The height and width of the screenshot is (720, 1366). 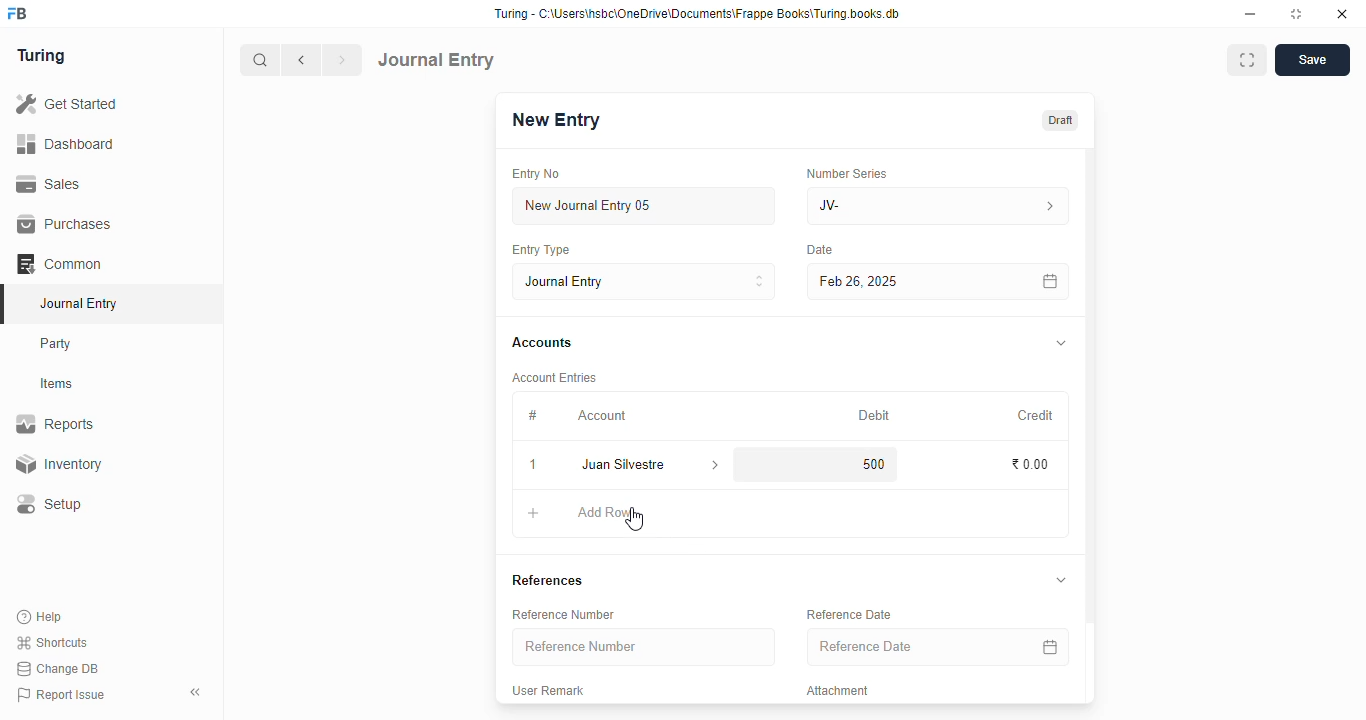 I want to click on account information, so click(x=716, y=465).